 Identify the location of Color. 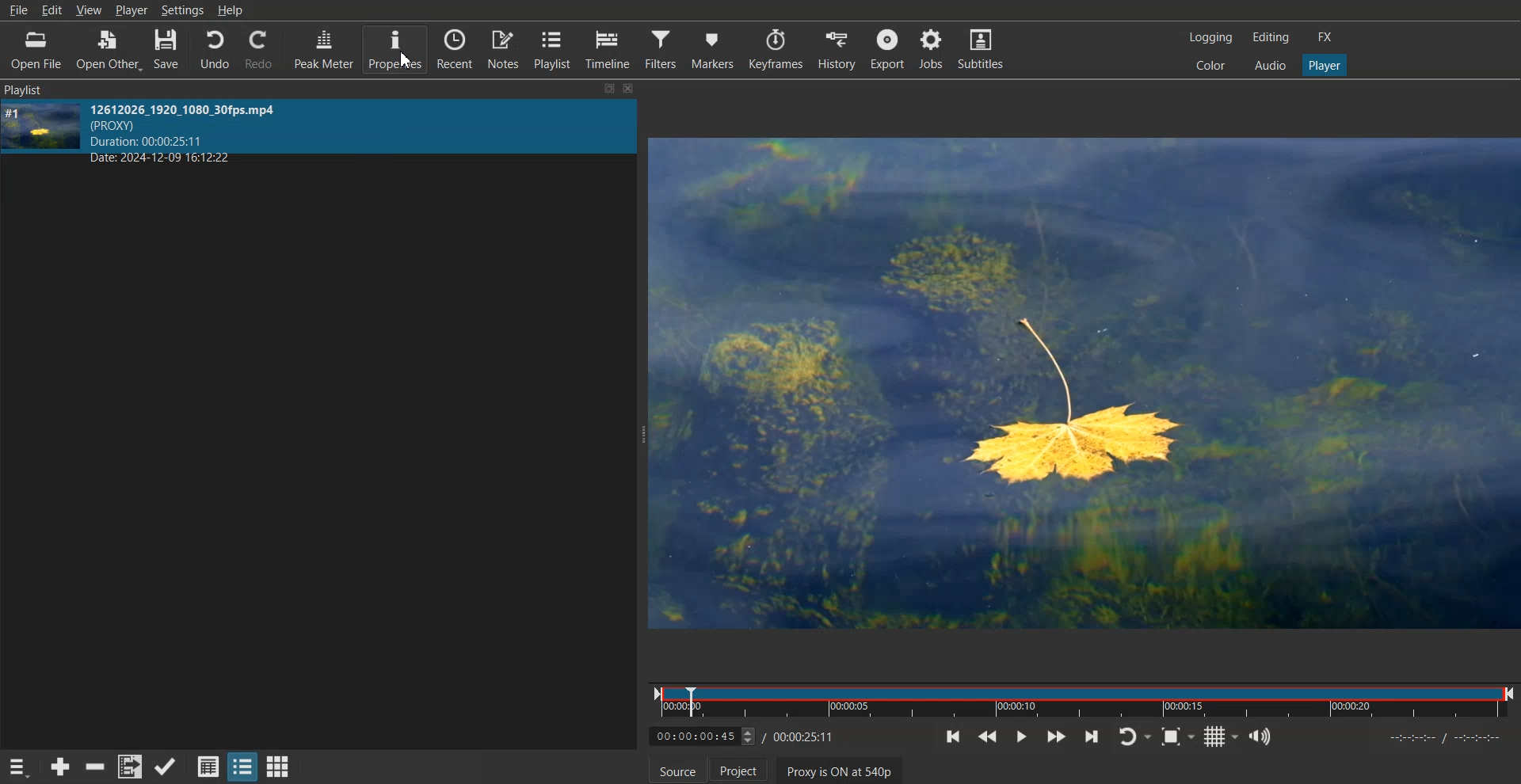
(1211, 65).